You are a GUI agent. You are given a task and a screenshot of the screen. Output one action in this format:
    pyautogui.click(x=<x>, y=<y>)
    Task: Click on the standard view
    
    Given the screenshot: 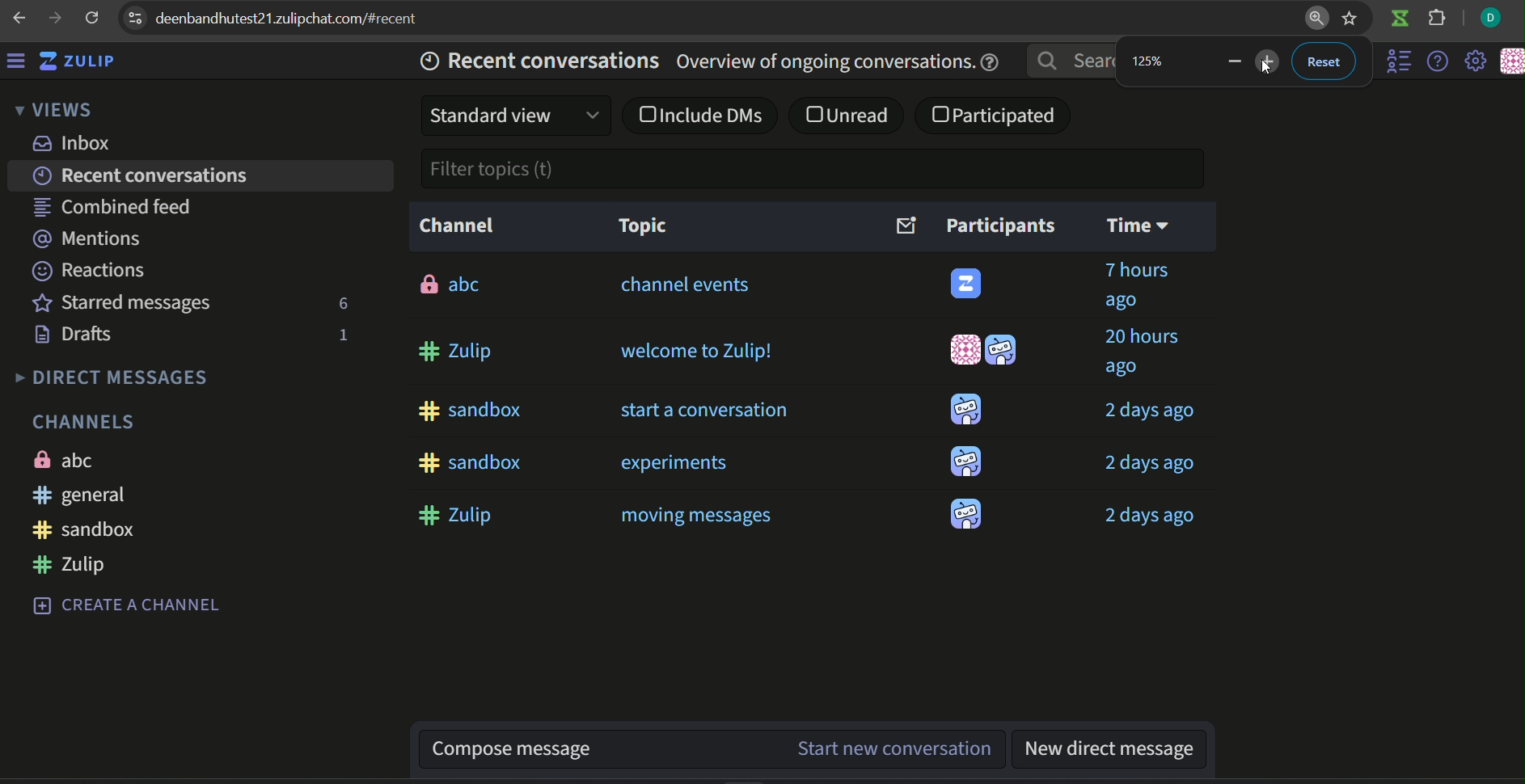 What is the action you would take?
    pyautogui.click(x=517, y=116)
    